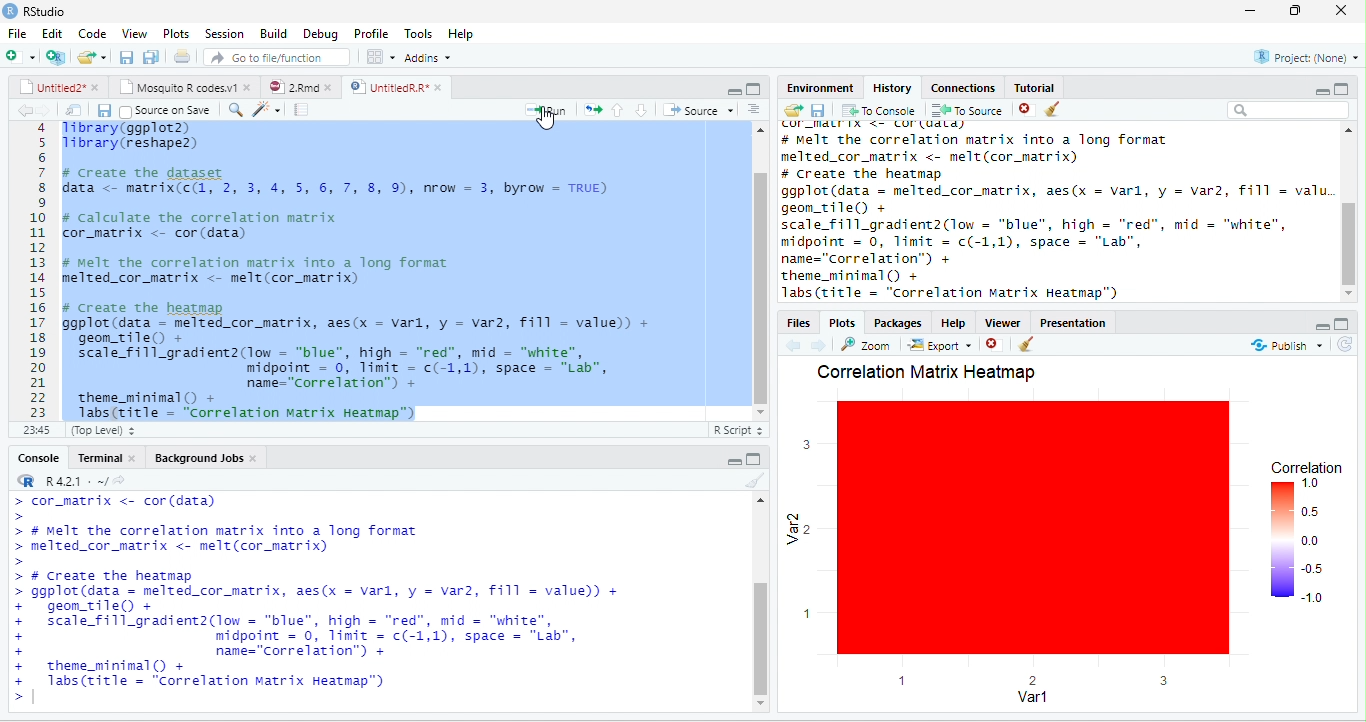 The width and height of the screenshot is (1366, 722). Describe the element at coordinates (734, 460) in the screenshot. I see `minimize` at that location.